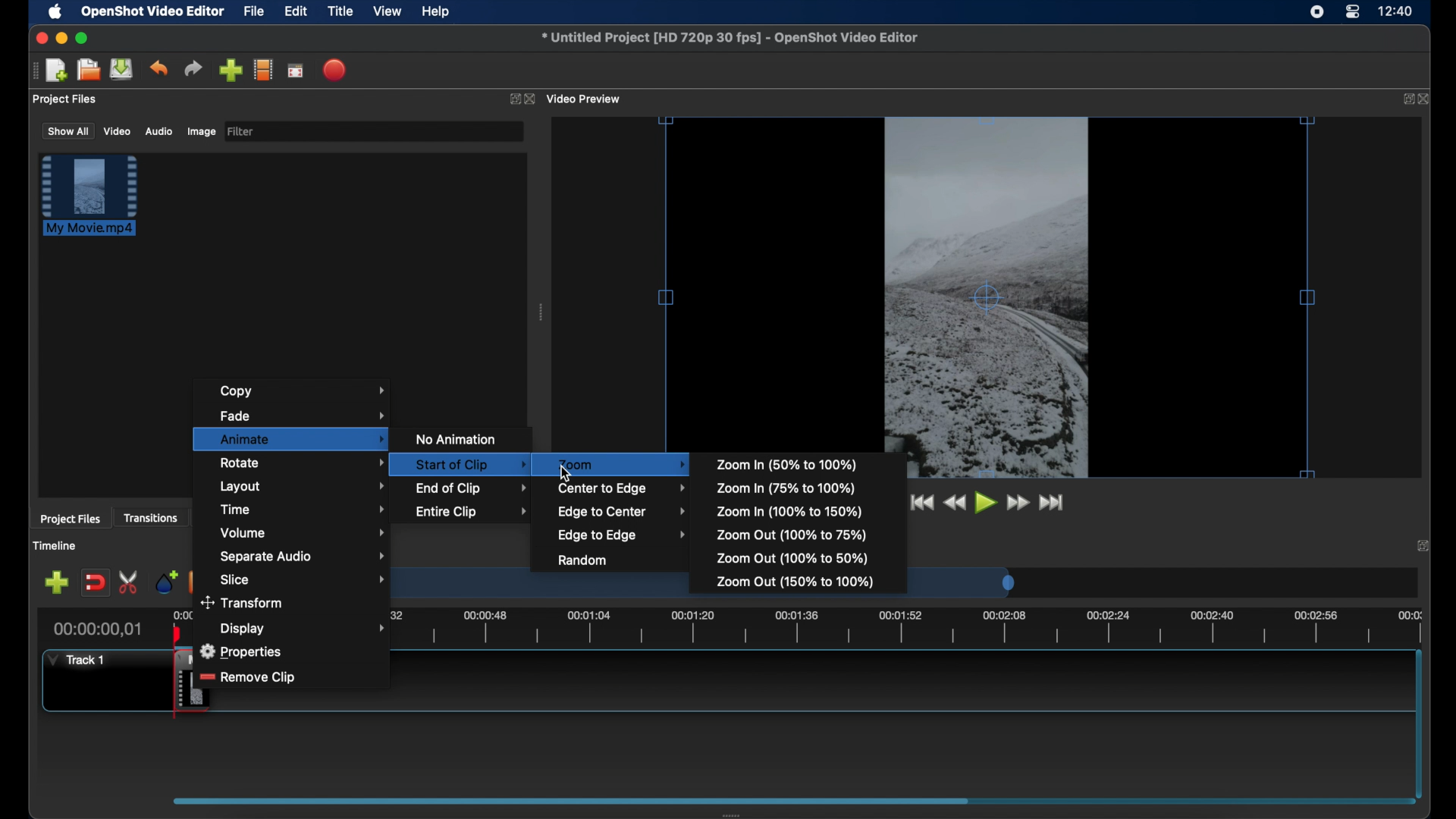  I want to click on fade menu, so click(303, 414).